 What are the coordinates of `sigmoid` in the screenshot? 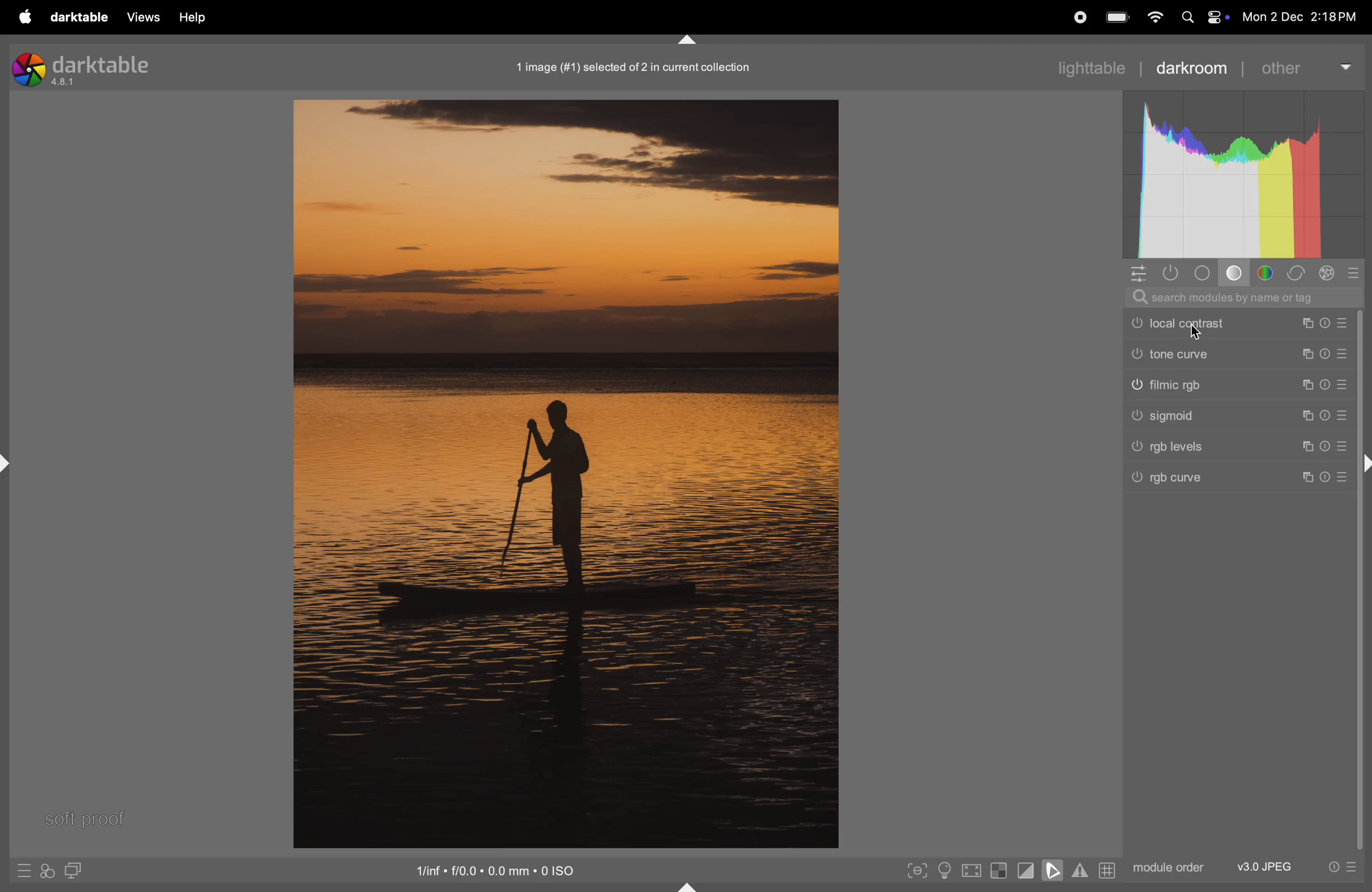 It's located at (1238, 416).